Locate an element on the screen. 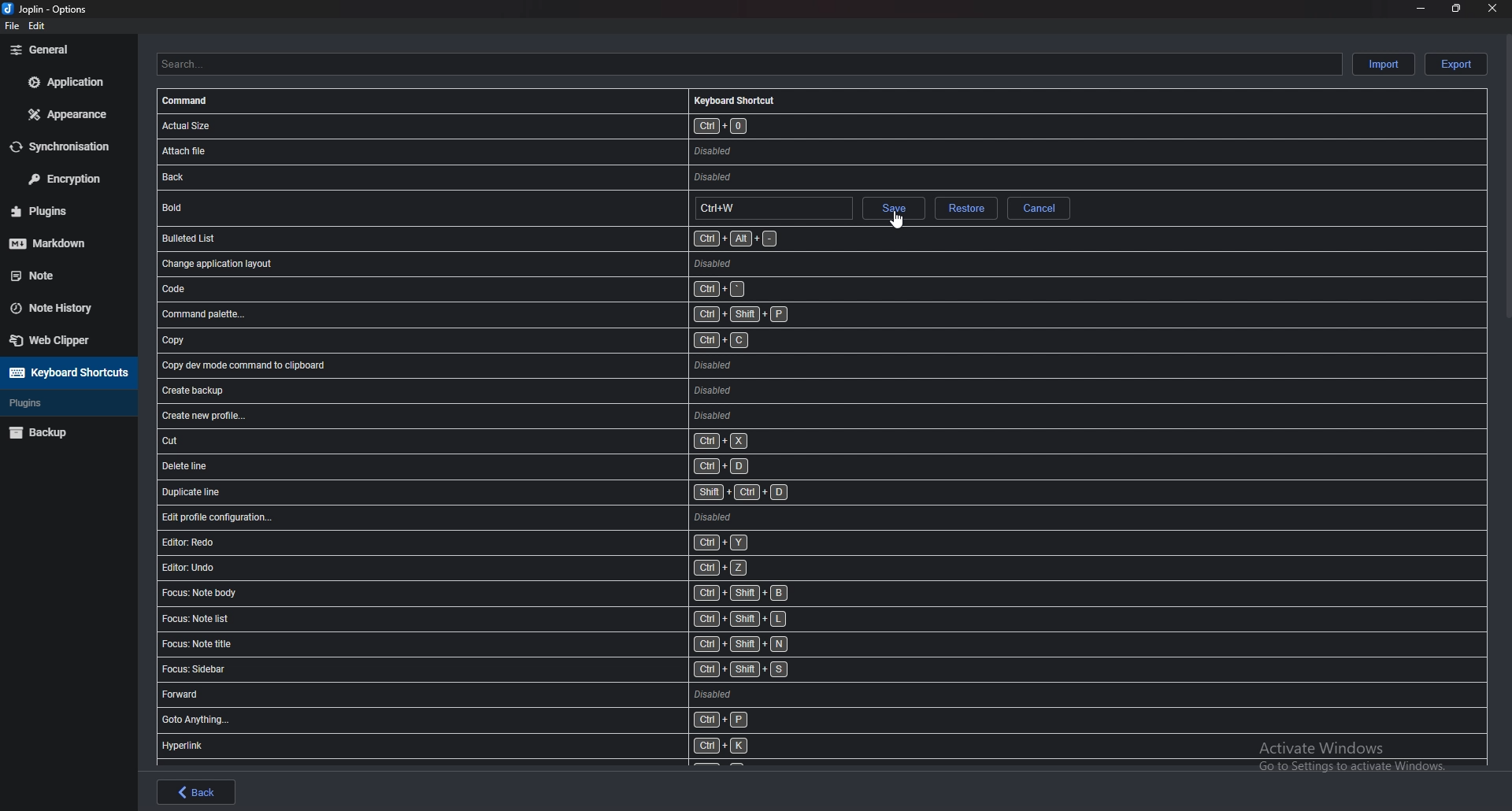 The image size is (1512, 811). shortcut is located at coordinates (507, 363).